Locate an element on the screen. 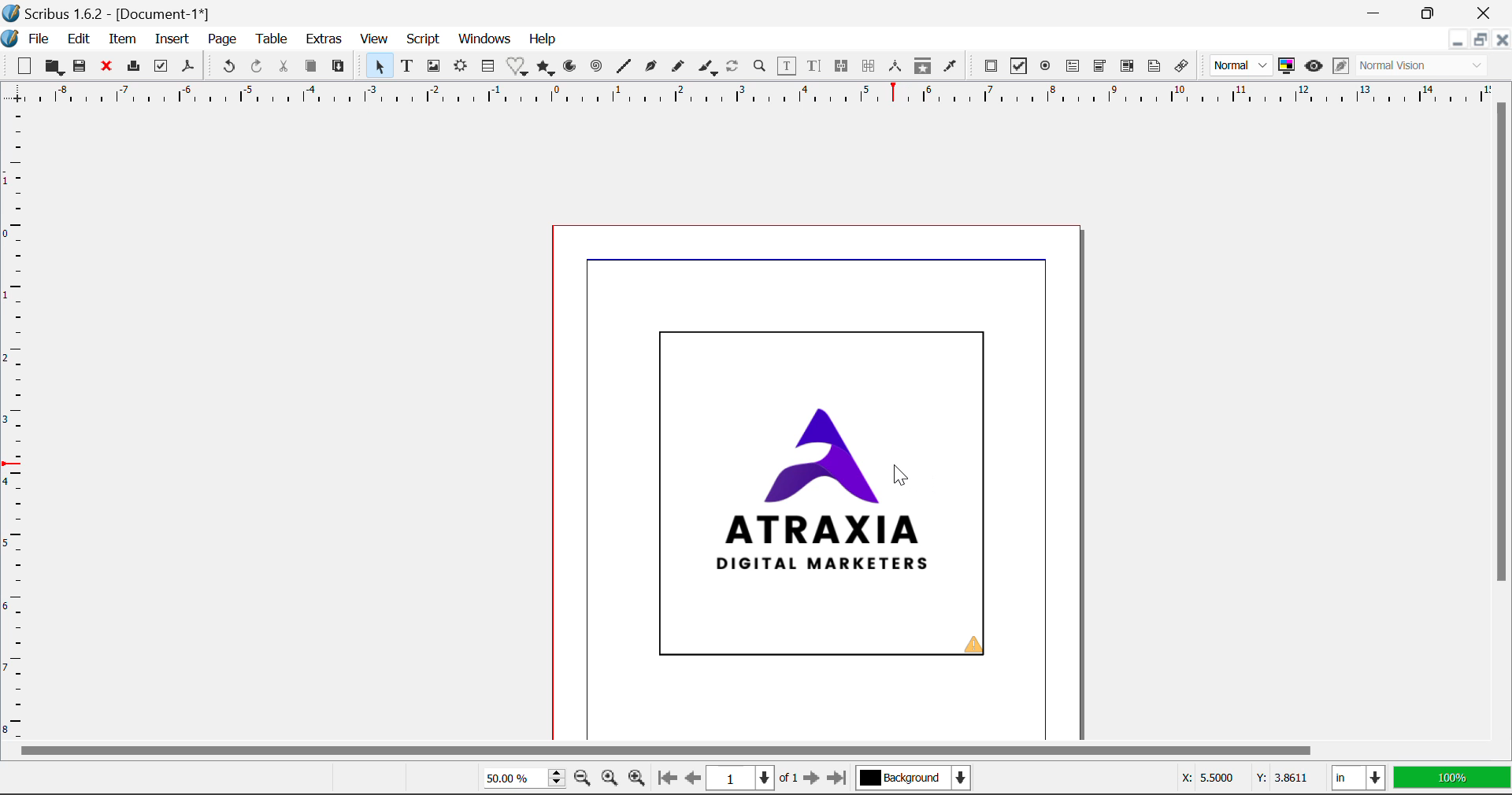 This screenshot has width=1512, height=795. 1 of 1 is located at coordinates (751, 778).